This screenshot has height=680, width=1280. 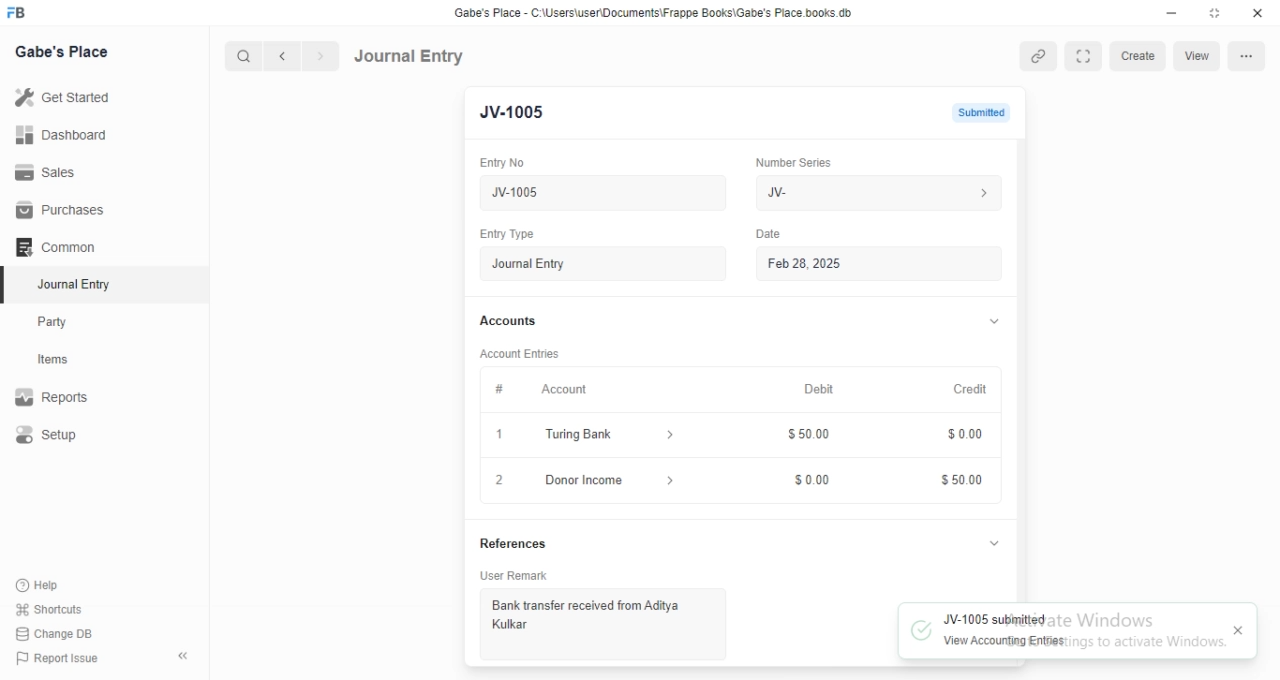 I want to click on close, so click(x=1258, y=14).